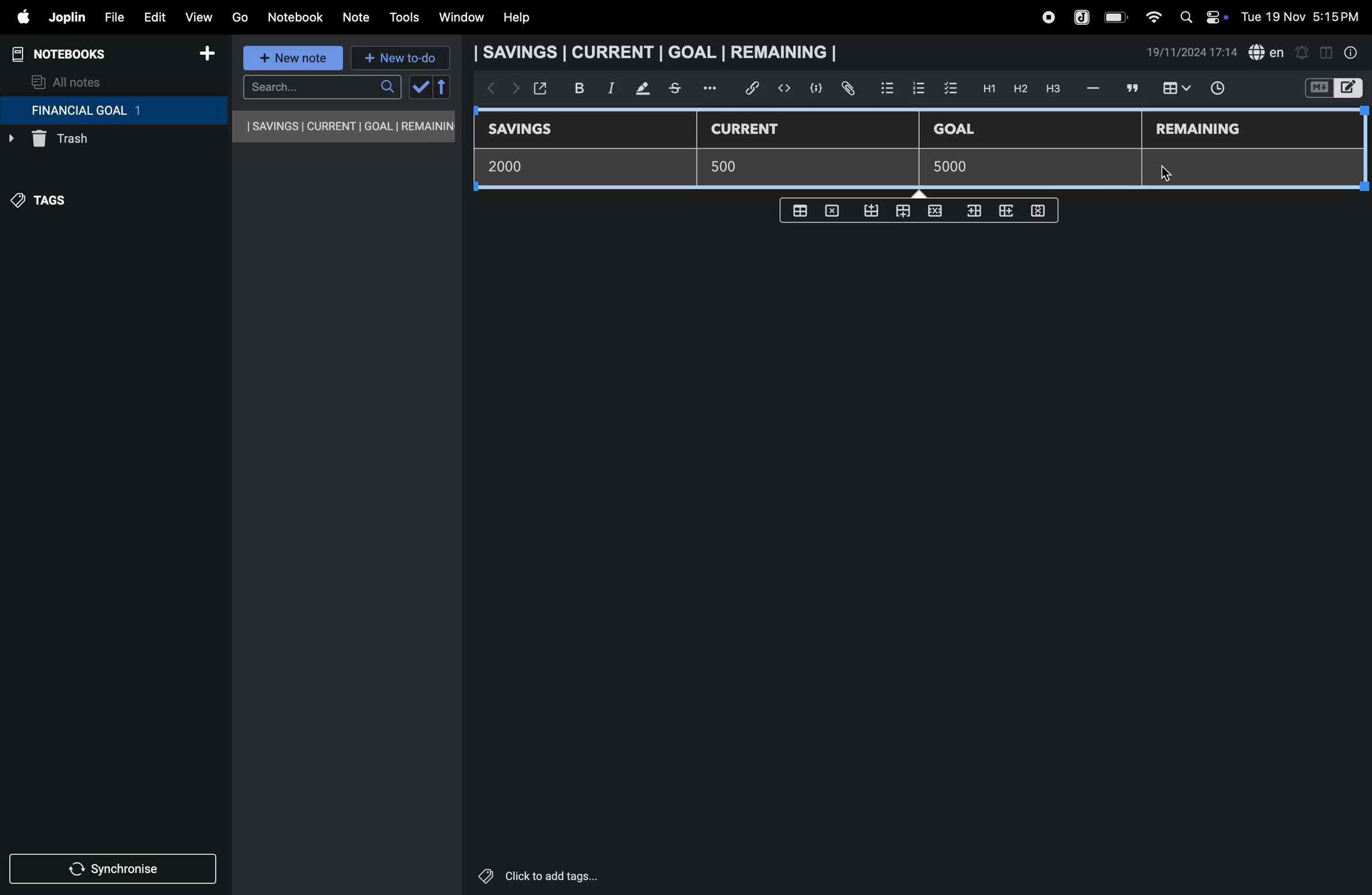 The height and width of the screenshot is (895, 1372). I want to click on 2000, so click(514, 166).